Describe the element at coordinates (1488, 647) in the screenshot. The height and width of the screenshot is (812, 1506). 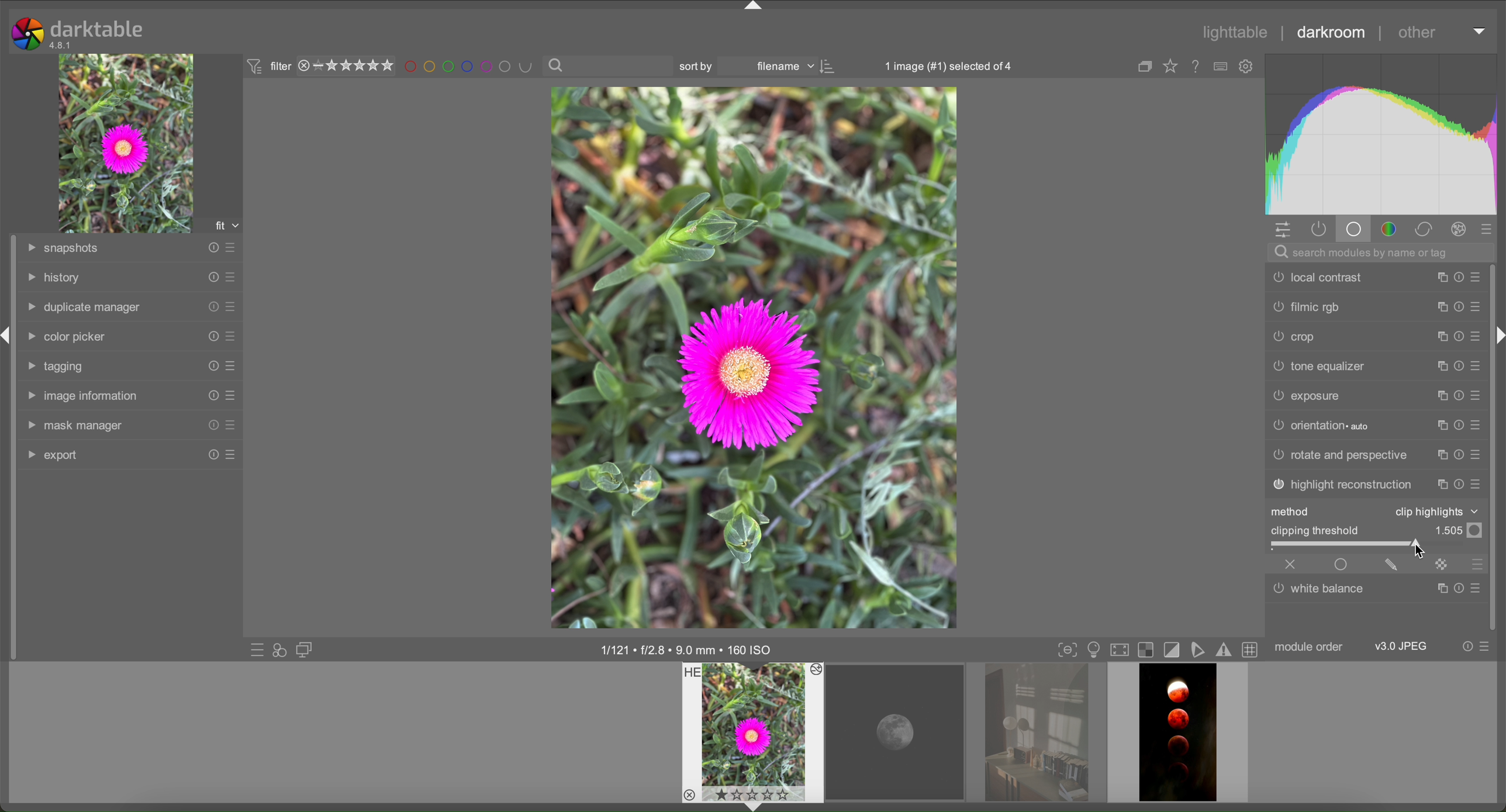
I see `presets` at that location.